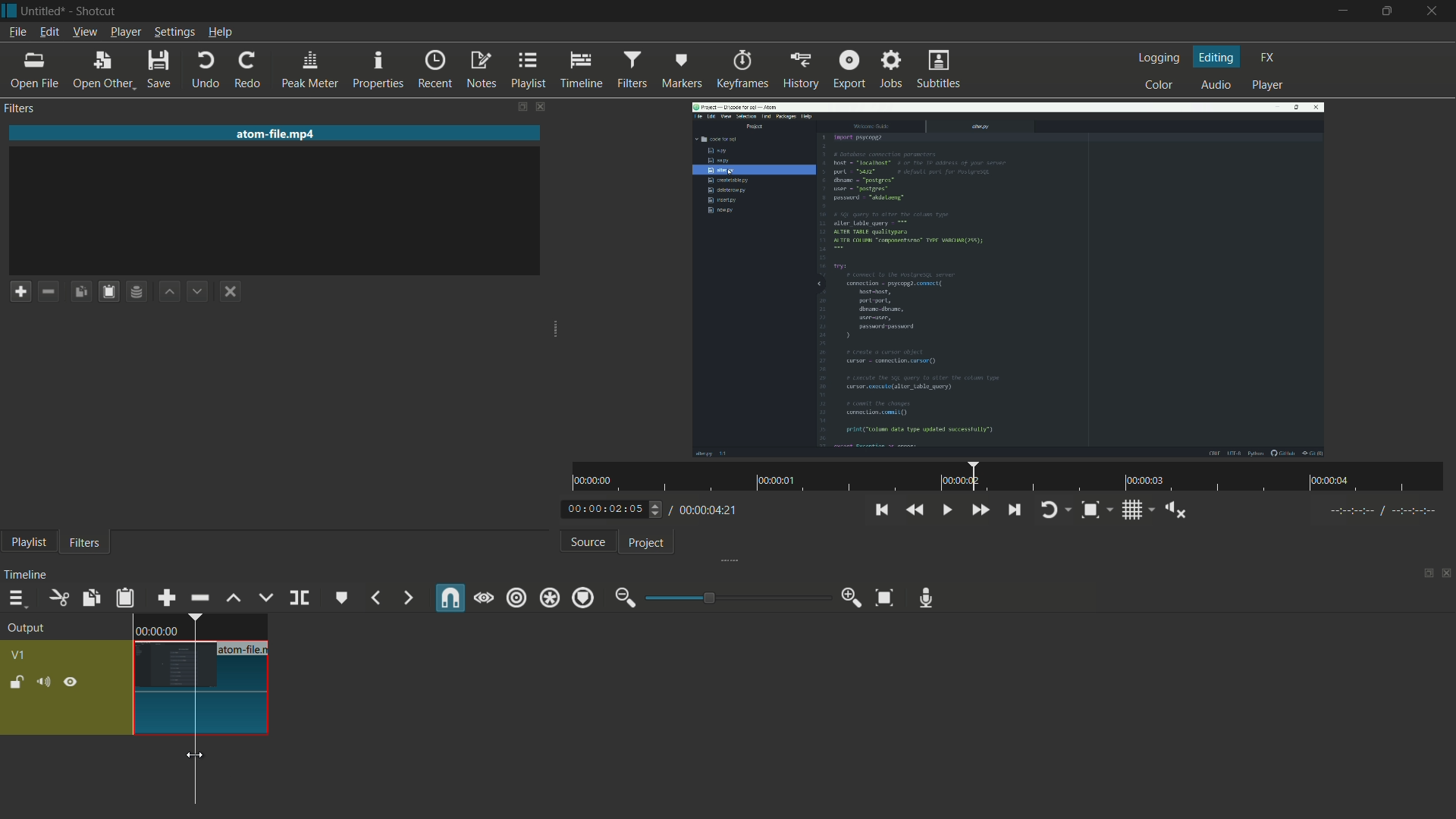 The image size is (1456, 819). Describe the element at coordinates (71, 683) in the screenshot. I see `hide` at that location.